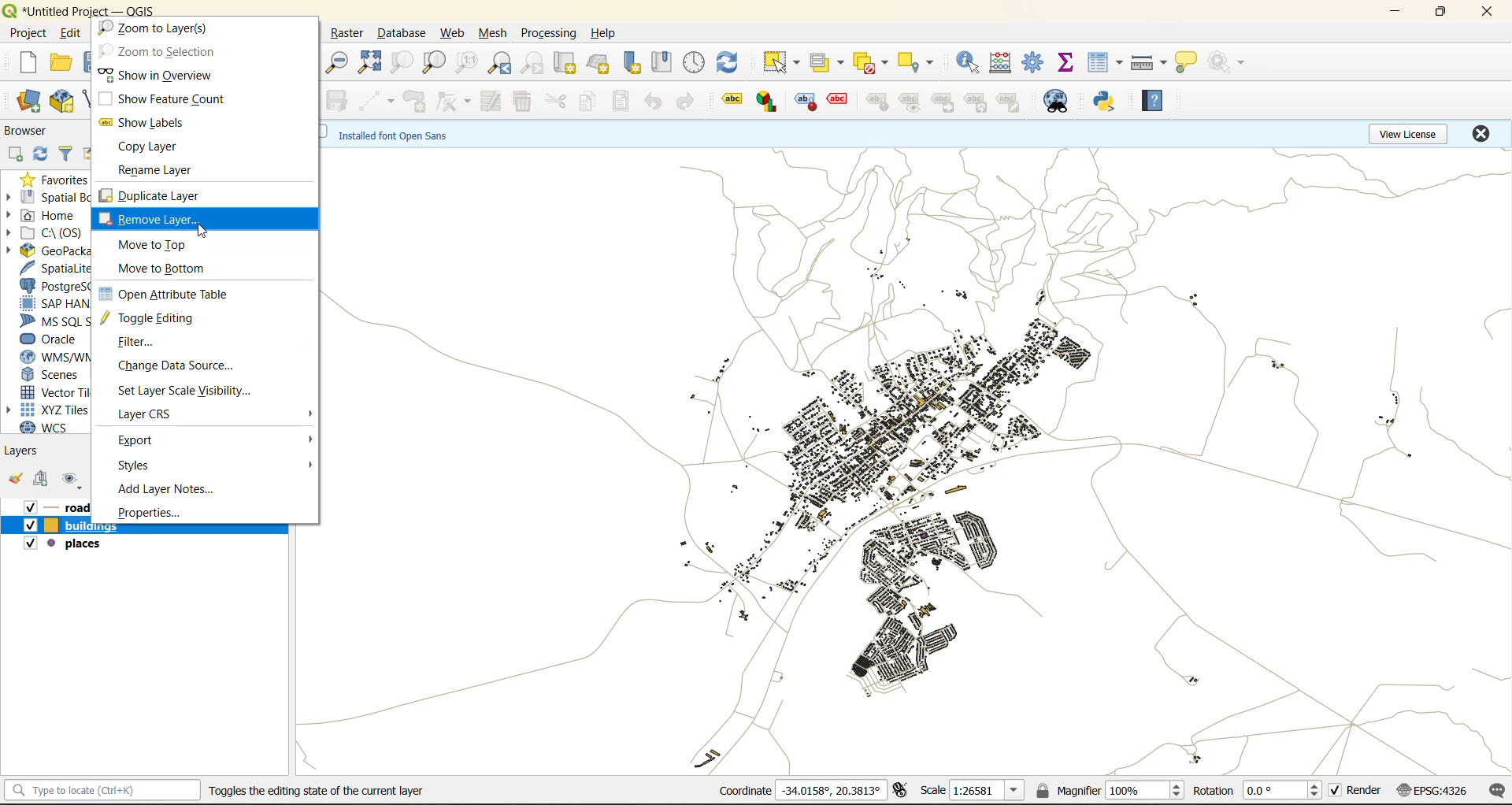 The width and height of the screenshot is (1512, 805). I want to click on redo, so click(691, 99).